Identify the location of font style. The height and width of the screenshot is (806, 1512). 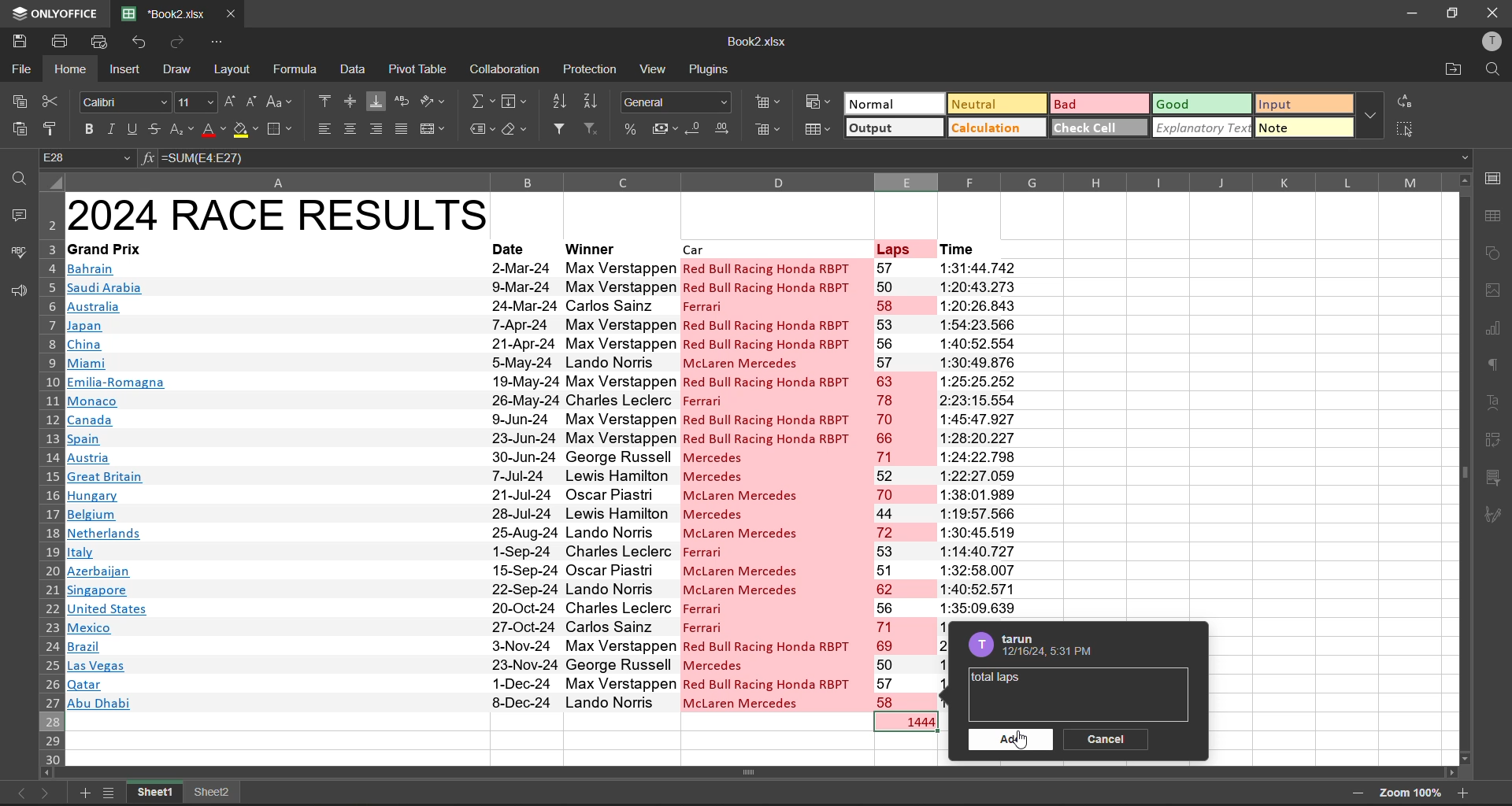
(124, 103).